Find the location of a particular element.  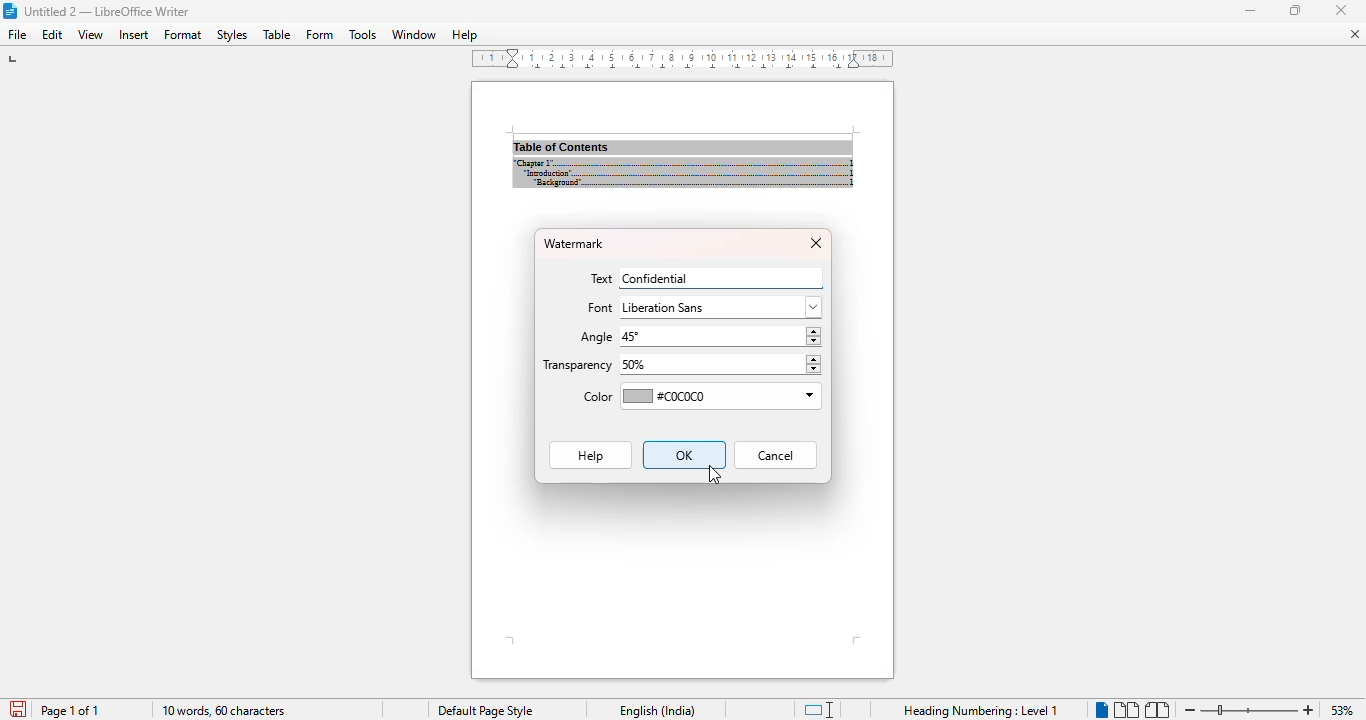

45° is located at coordinates (719, 336).